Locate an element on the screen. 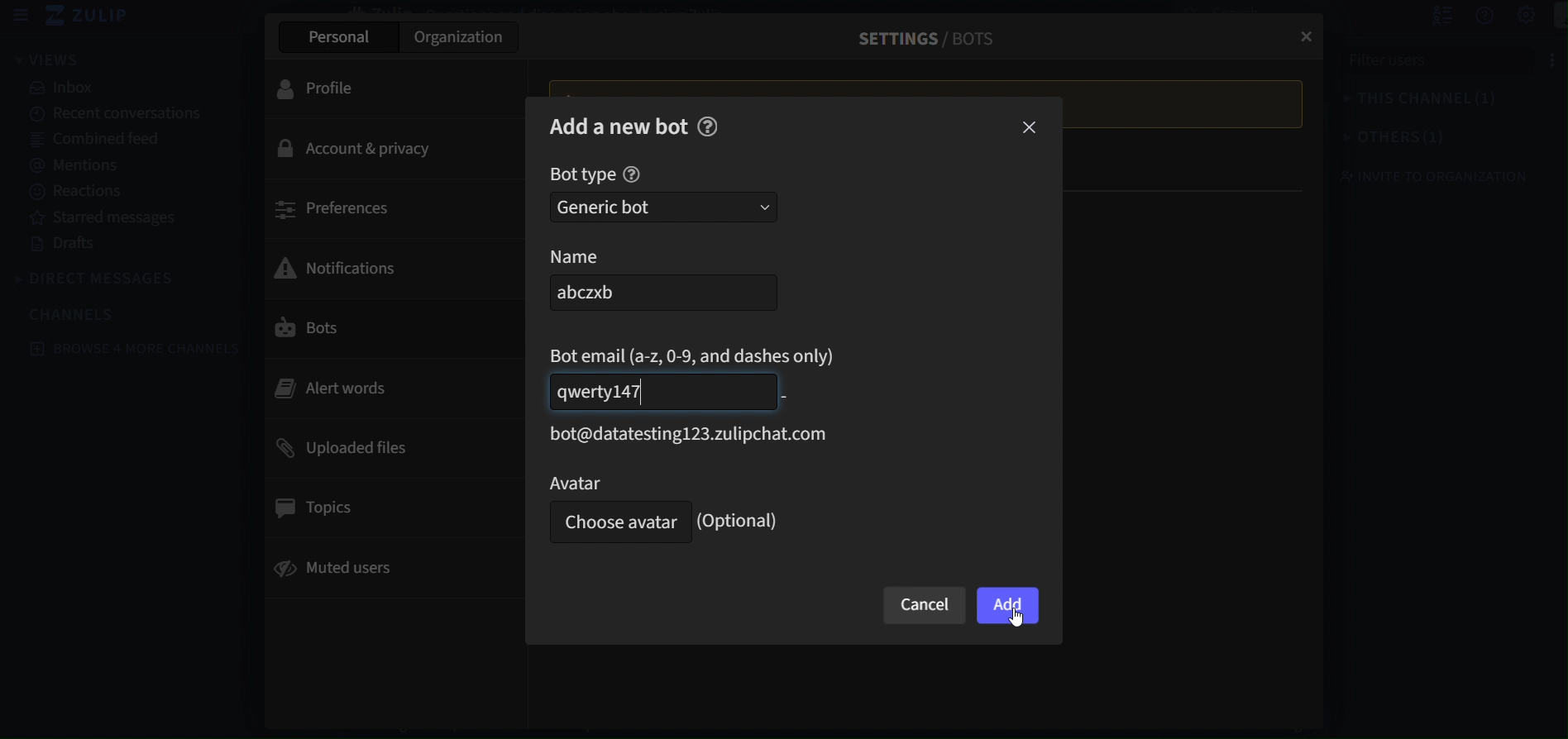 This screenshot has height=739, width=1568. inbox is located at coordinates (131, 88).